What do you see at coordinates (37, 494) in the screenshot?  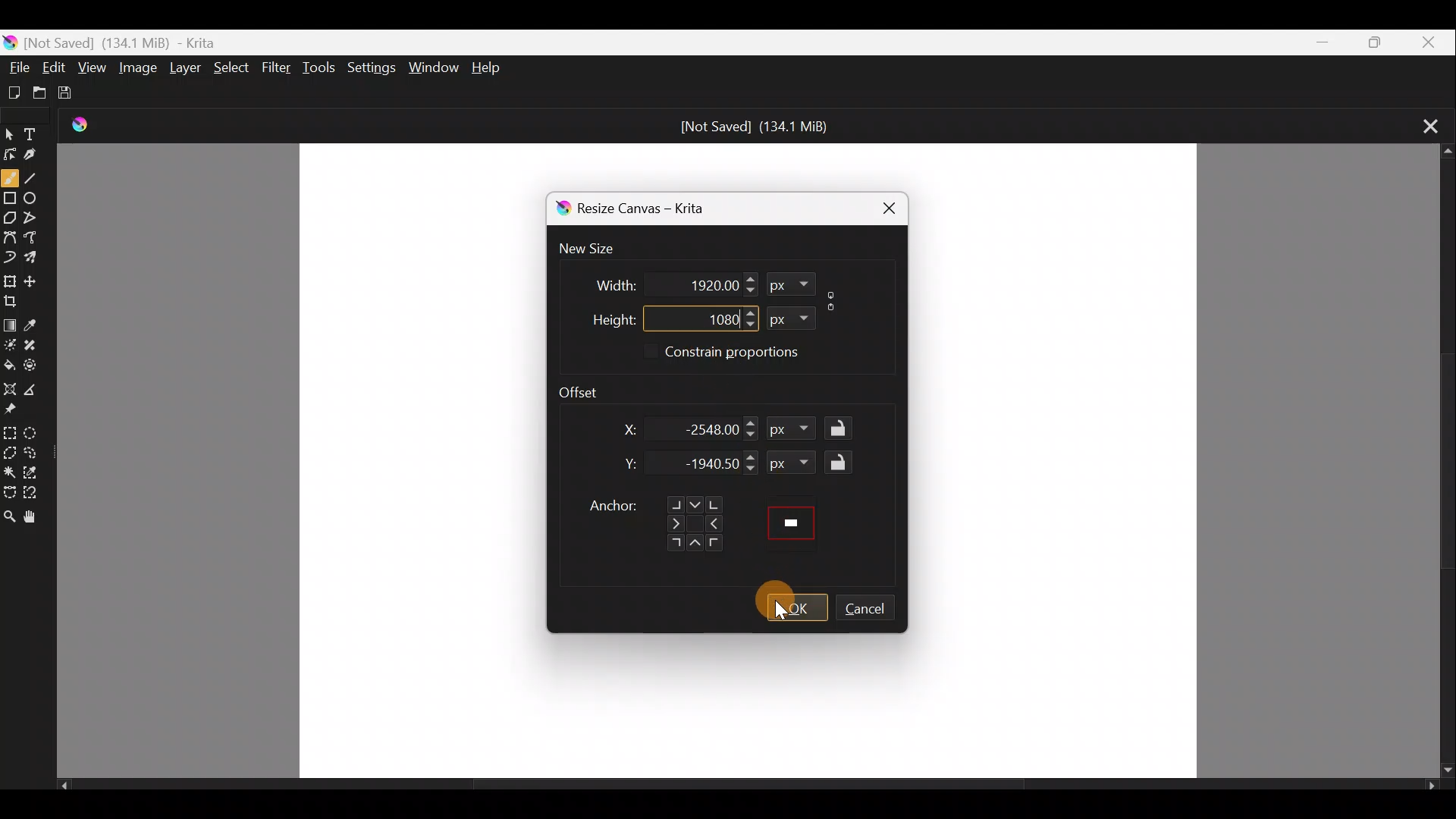 I see `Magnetic curve selection tool` at bounding box center [37, 494].